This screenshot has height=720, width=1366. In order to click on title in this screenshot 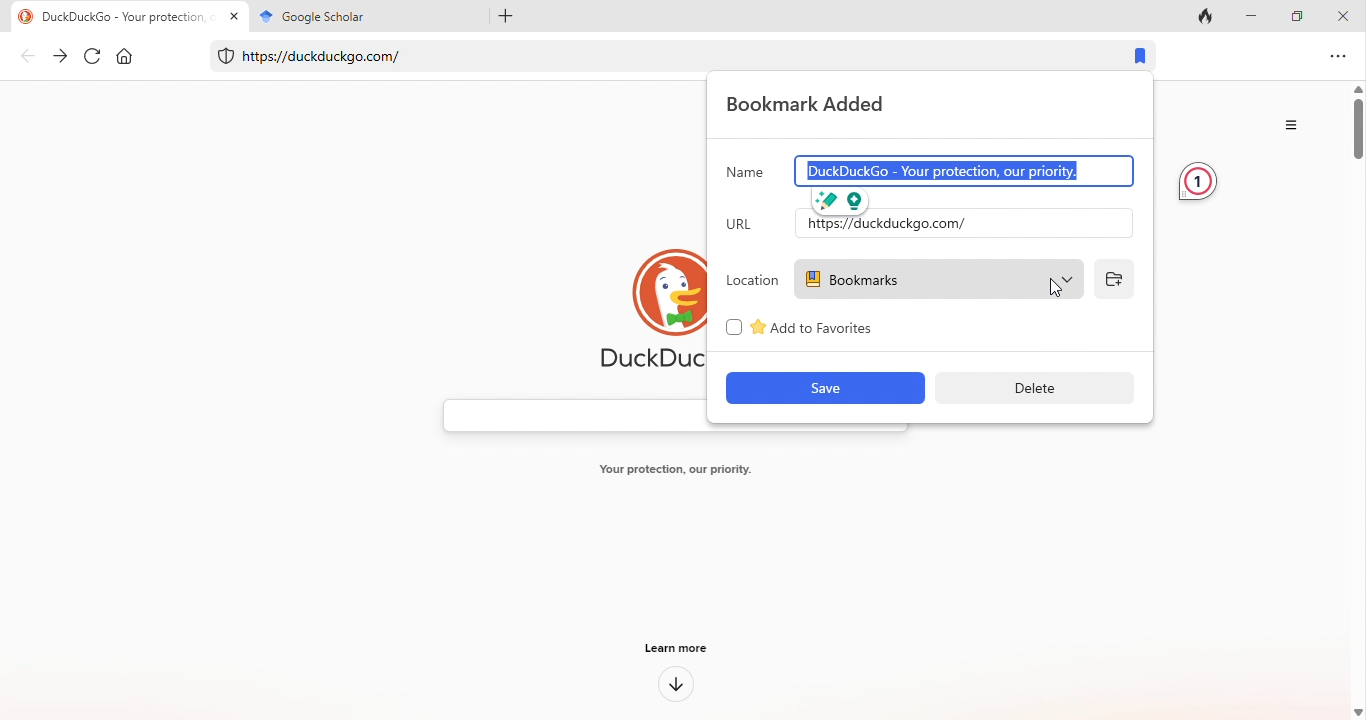, I will do `click(127, 16)`.